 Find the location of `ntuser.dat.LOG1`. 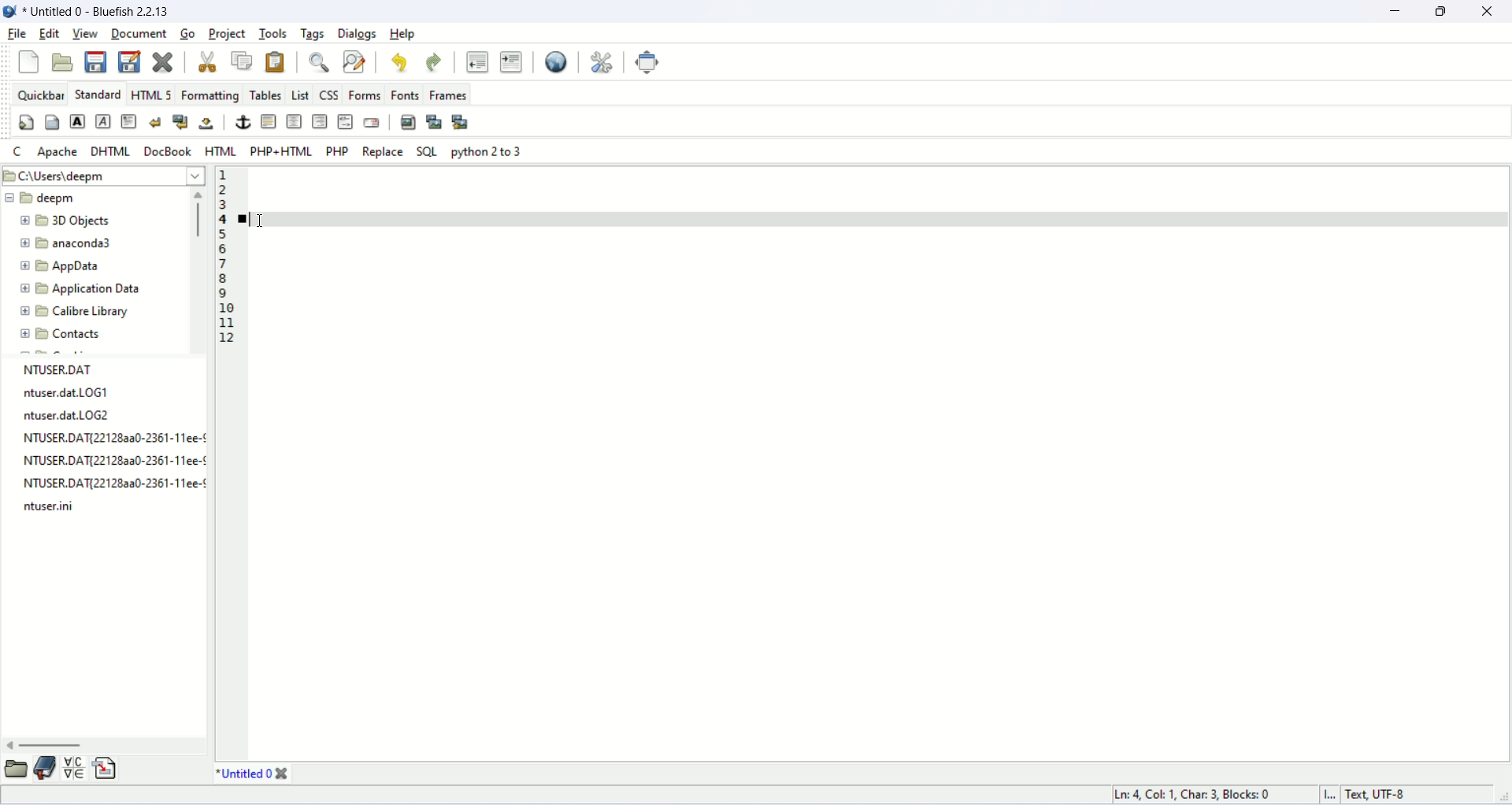

ntuser.dat.LOG1 is located at coordinates (68, 392).